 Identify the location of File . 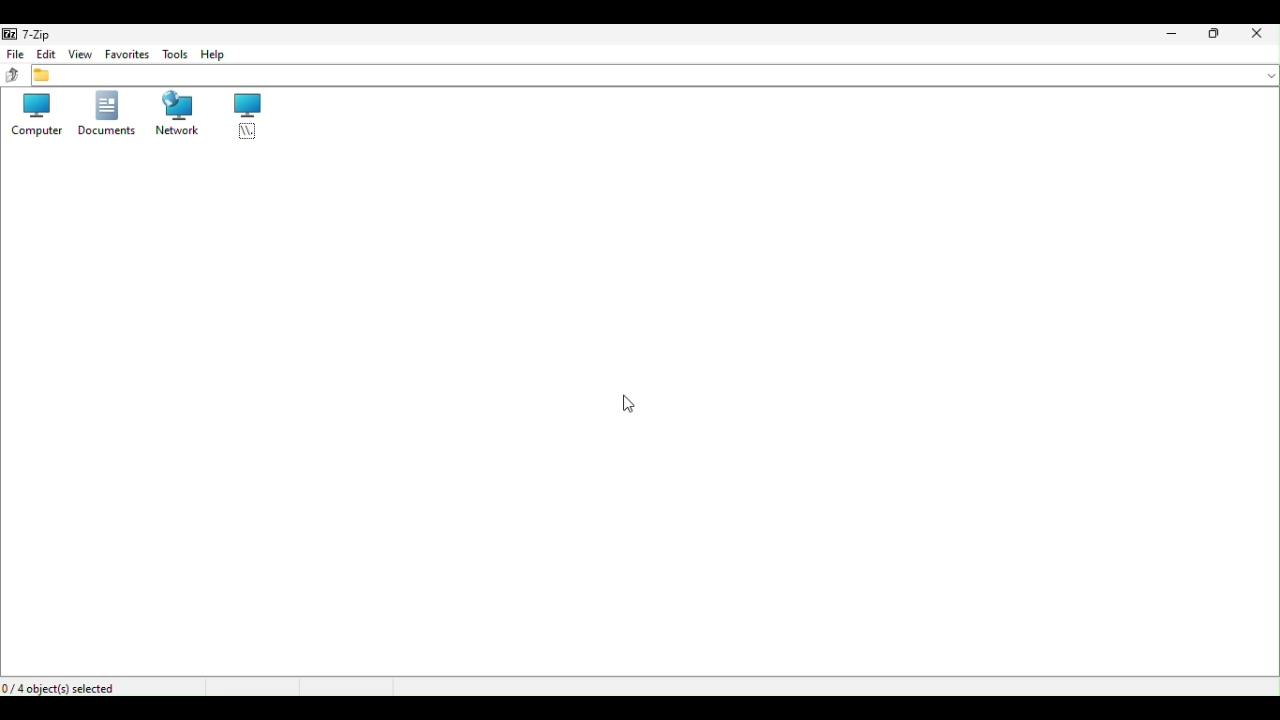
(14, 56).